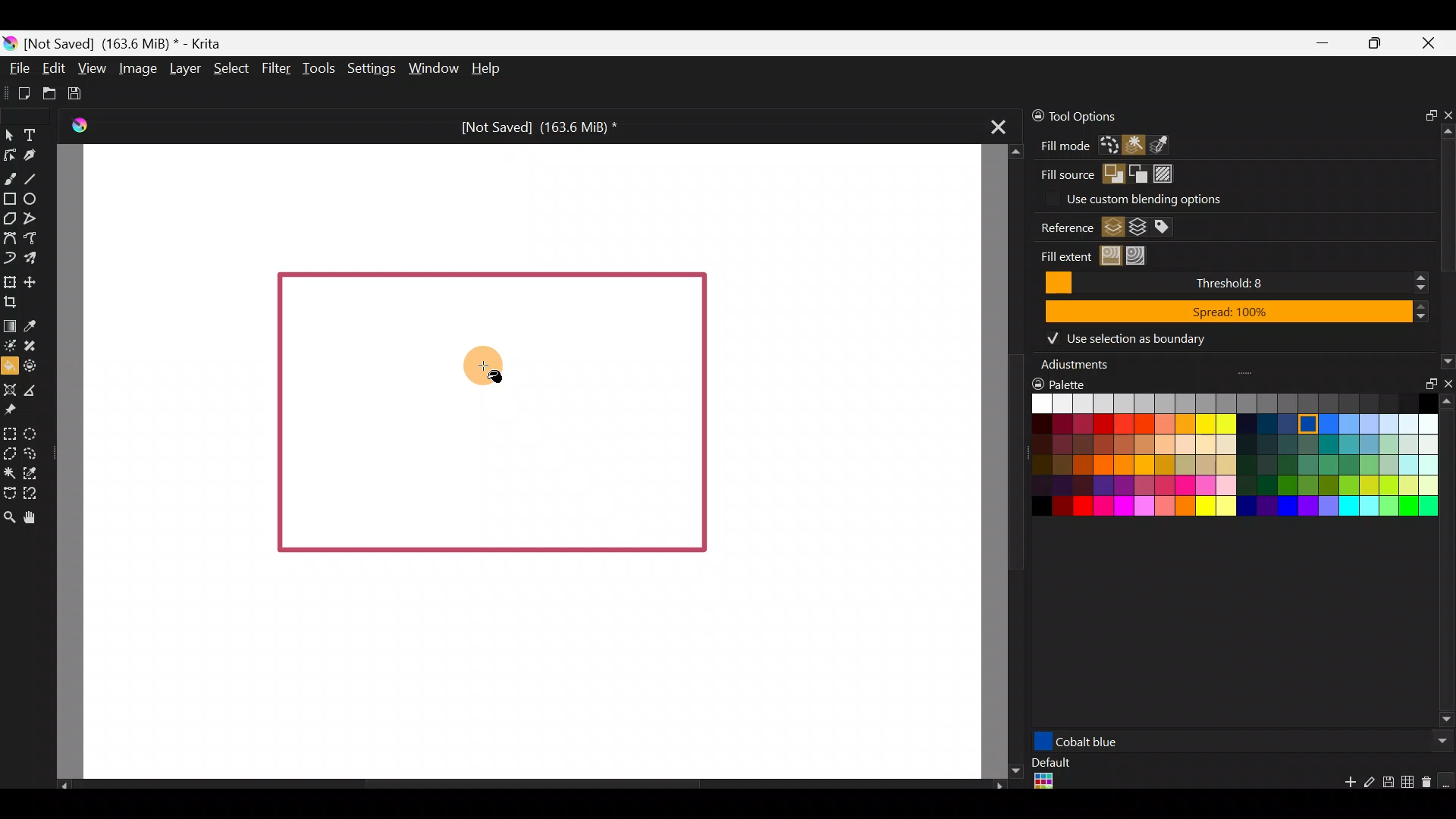 The image size is (1456, 819). What do you see at coordinates (274, 68) in the screenshot?
I see `Filter` at bounding box center [274, 68].